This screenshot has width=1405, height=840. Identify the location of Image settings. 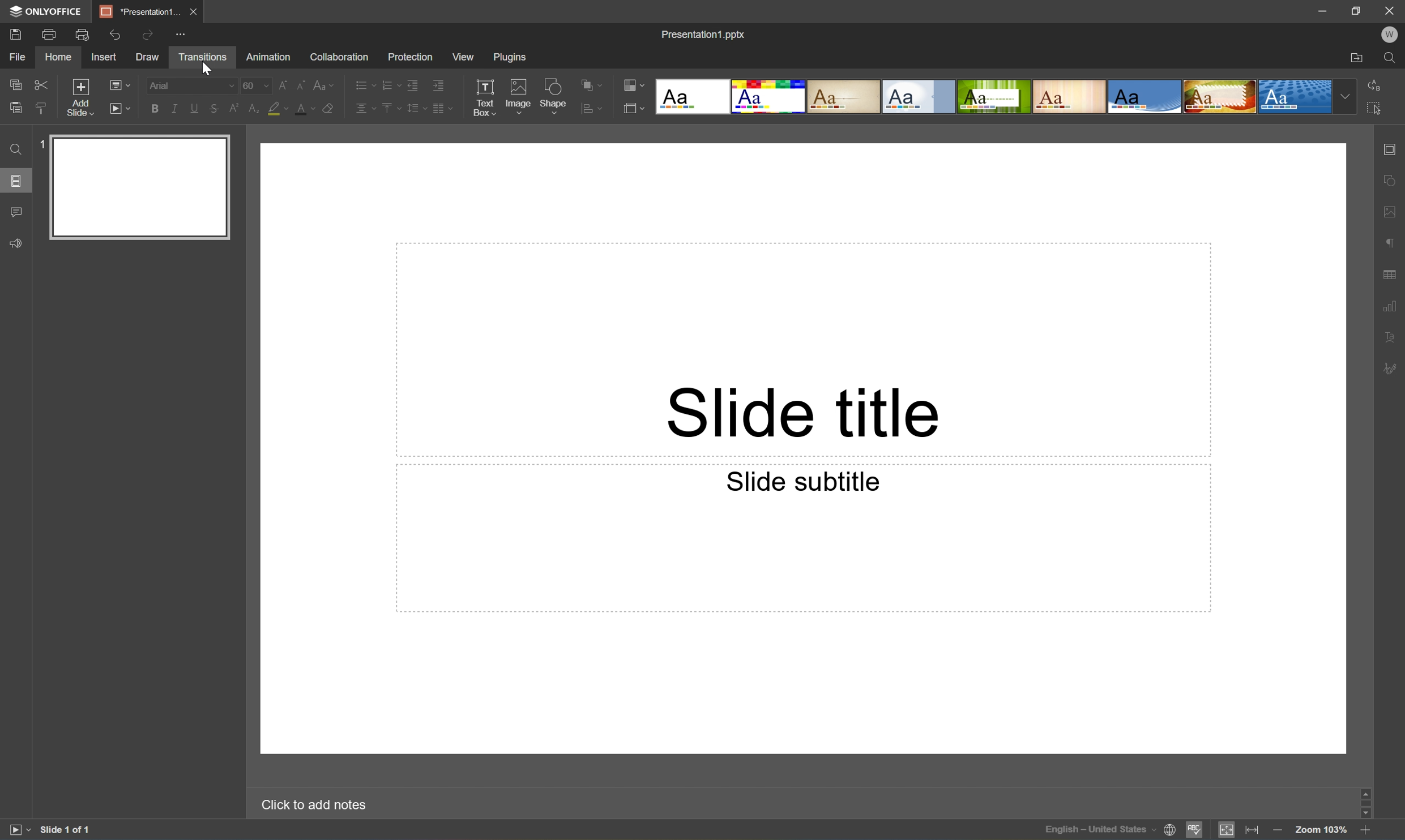
(1391, 214).